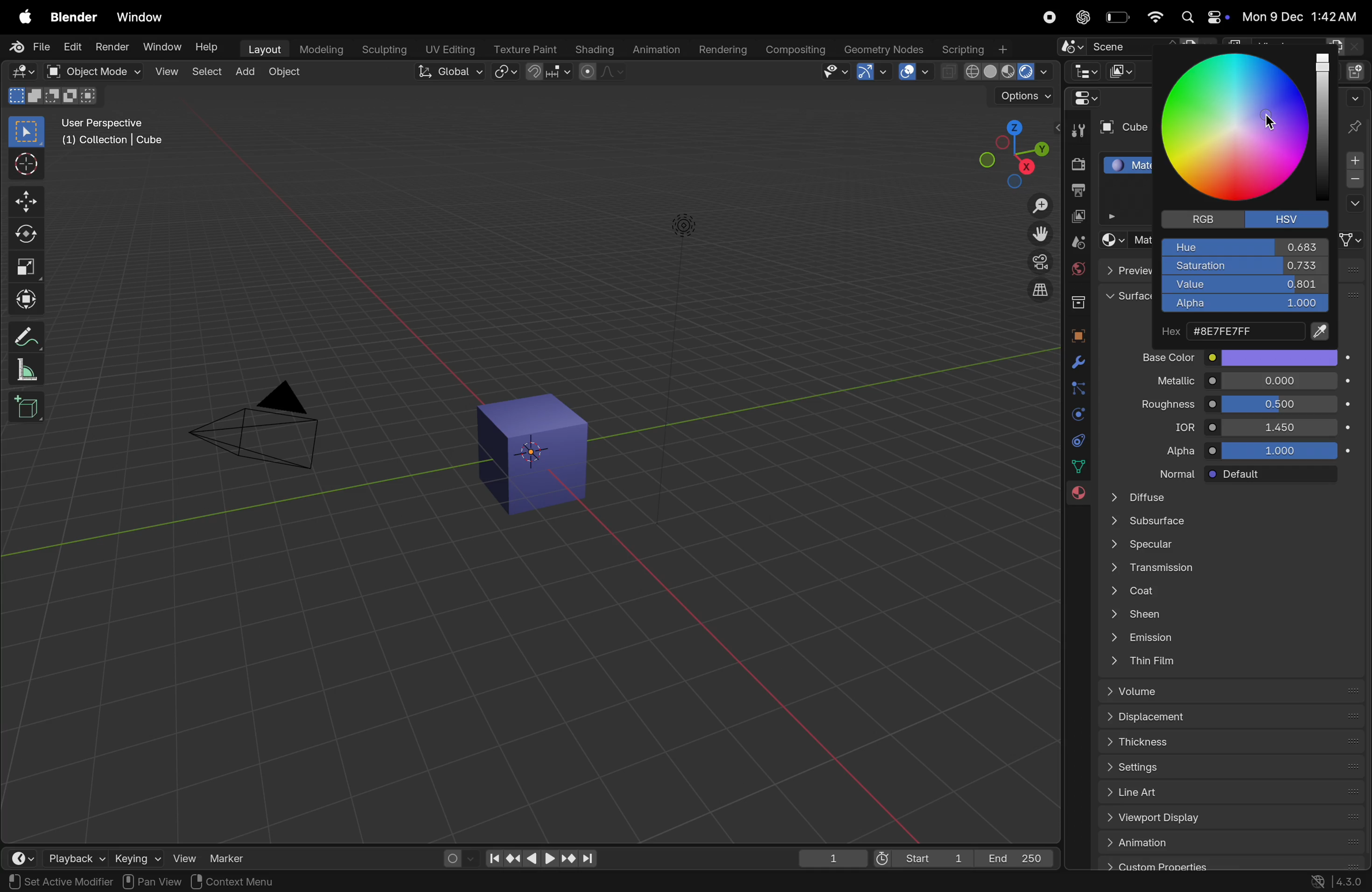 Image resolution: width=1372 pixels, height=892 pixels. I want to click on 1.450, so click(1280, 426).